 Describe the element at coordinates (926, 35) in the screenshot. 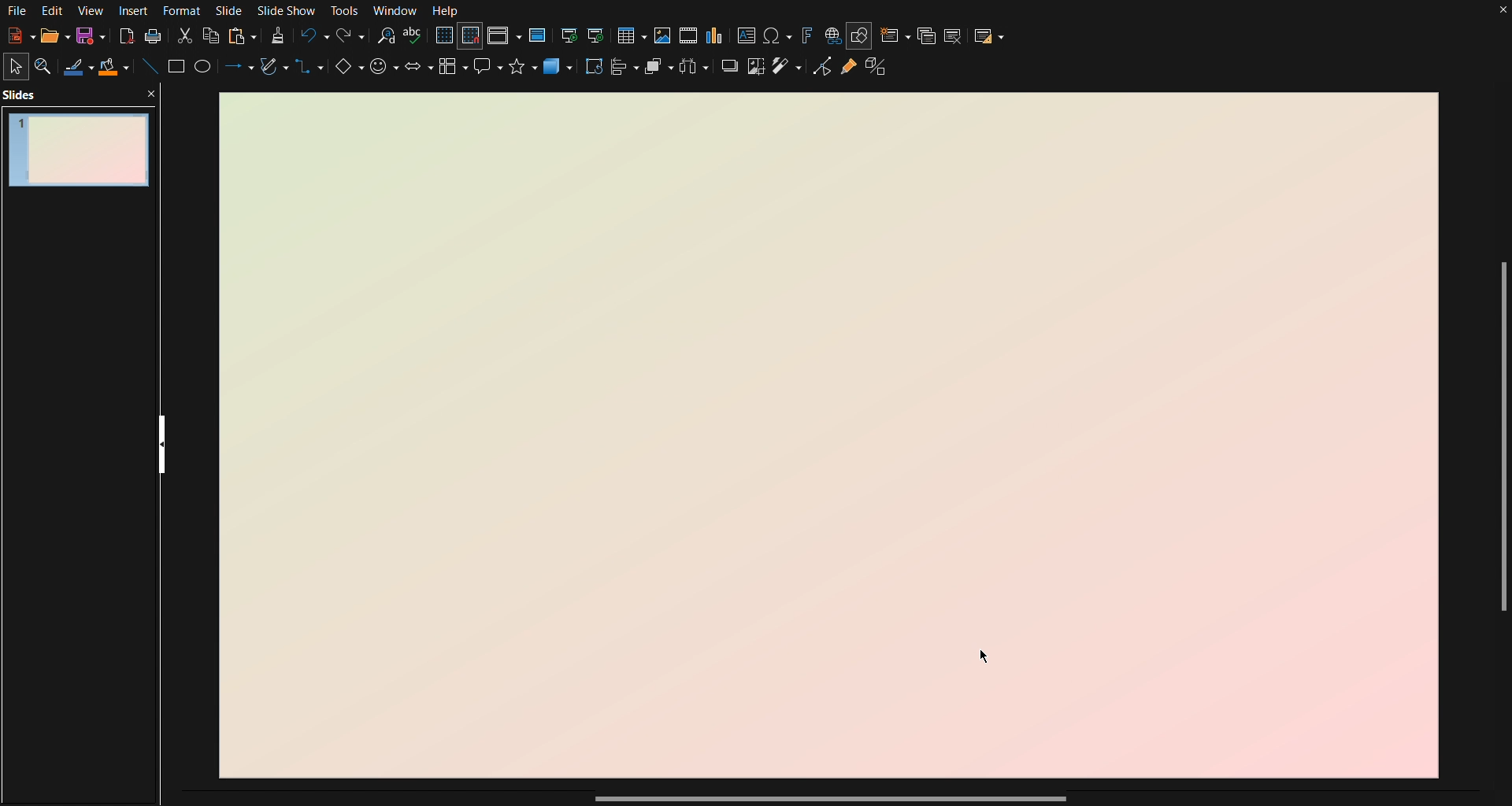

I see `Duplicate Slide` at that location.